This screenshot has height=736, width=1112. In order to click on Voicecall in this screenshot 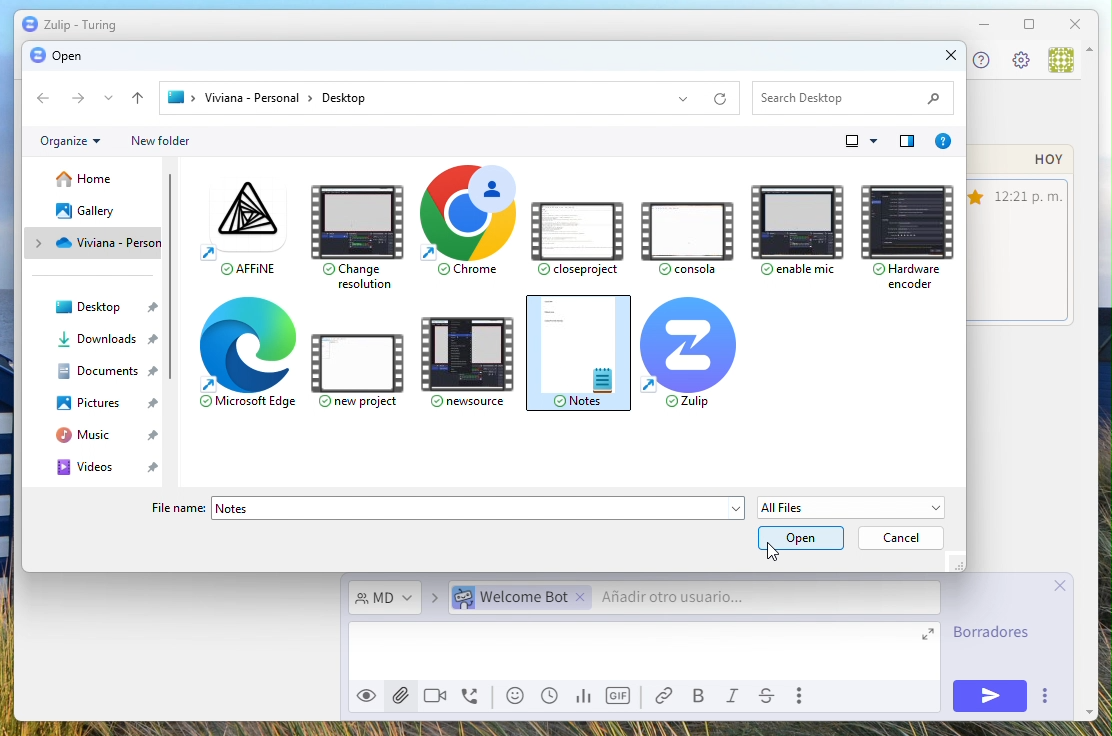, I will do `click(472, 698)`.